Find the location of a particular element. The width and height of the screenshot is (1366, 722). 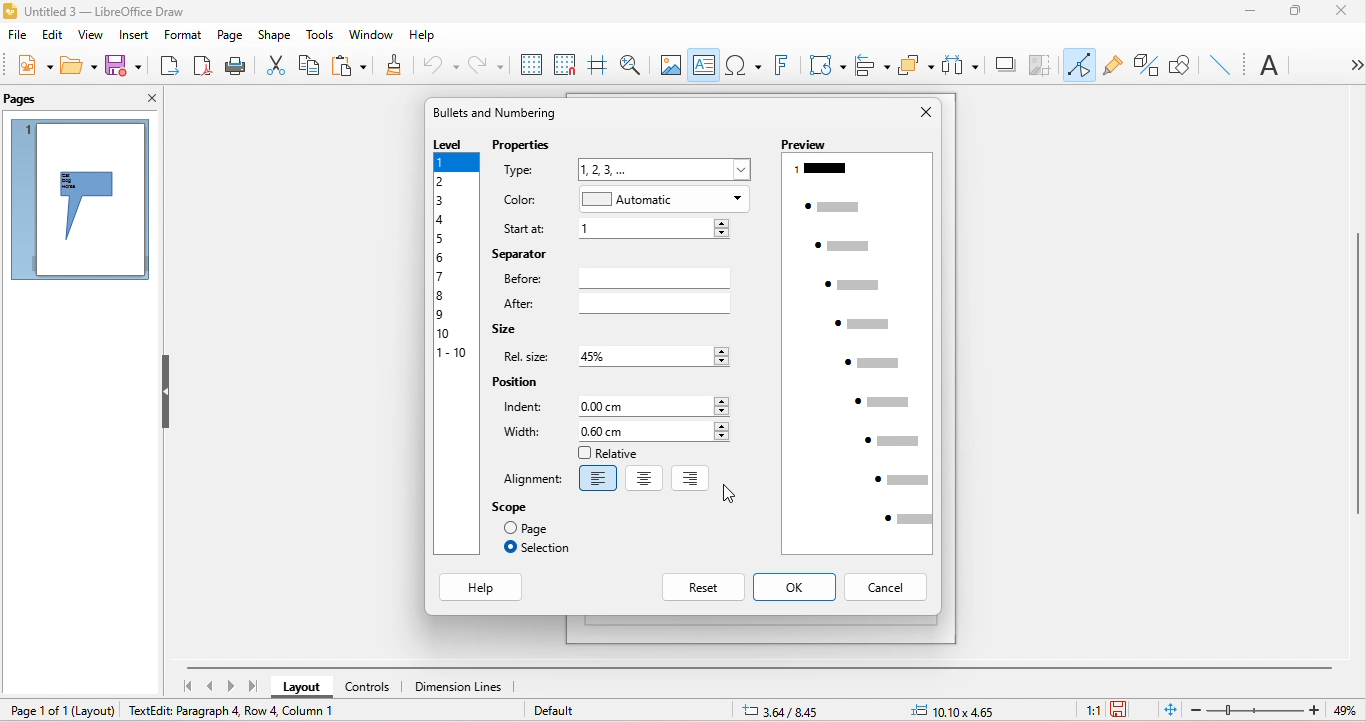

page is located at coordinates (230, 32).